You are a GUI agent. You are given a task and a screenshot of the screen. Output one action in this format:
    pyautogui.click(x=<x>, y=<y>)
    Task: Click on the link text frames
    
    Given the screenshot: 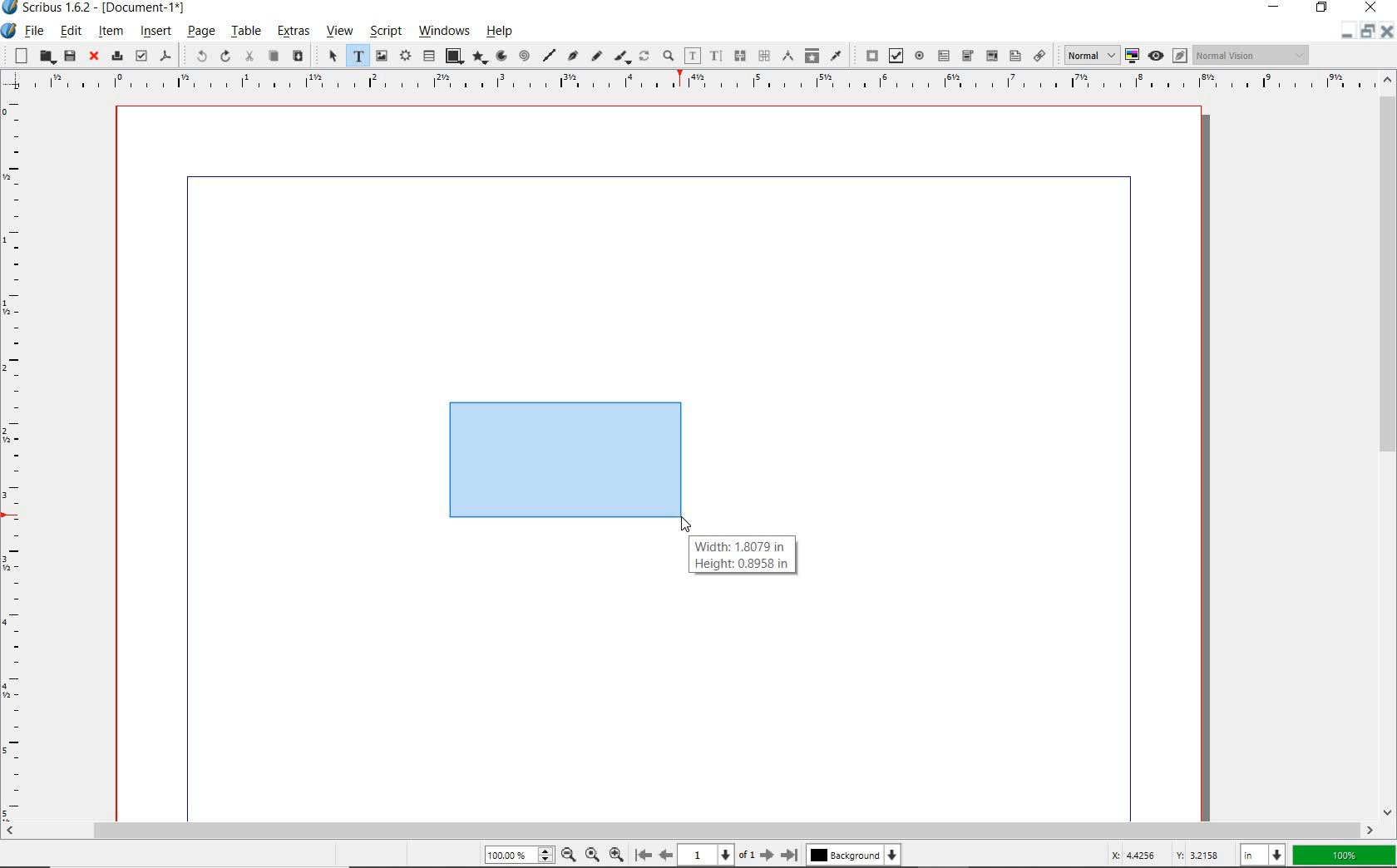 What is the action you would take?
    pyautogui.click(x=741, y=56)
    